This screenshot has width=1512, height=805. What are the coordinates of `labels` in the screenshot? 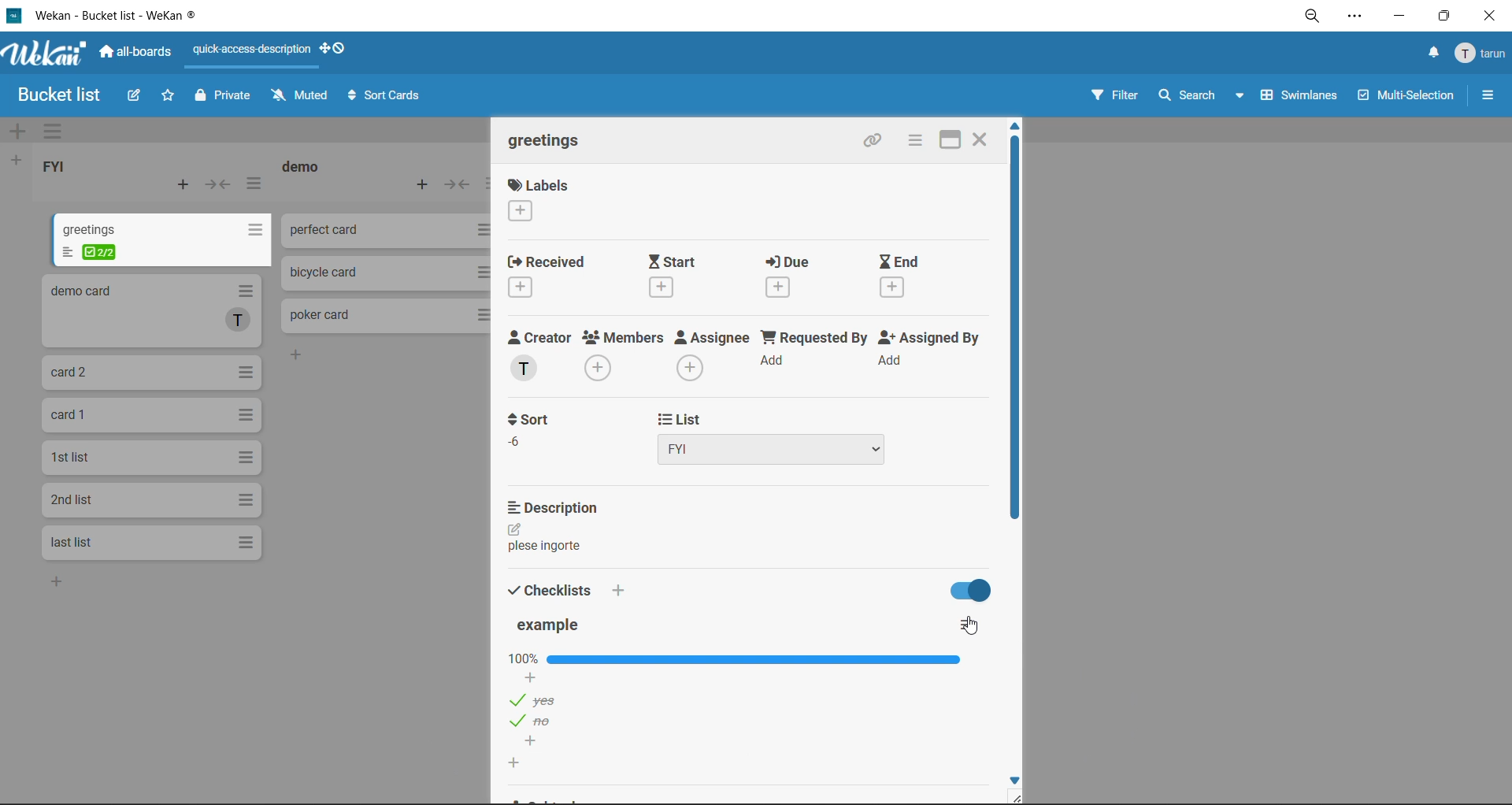 It's located at (540, 198).